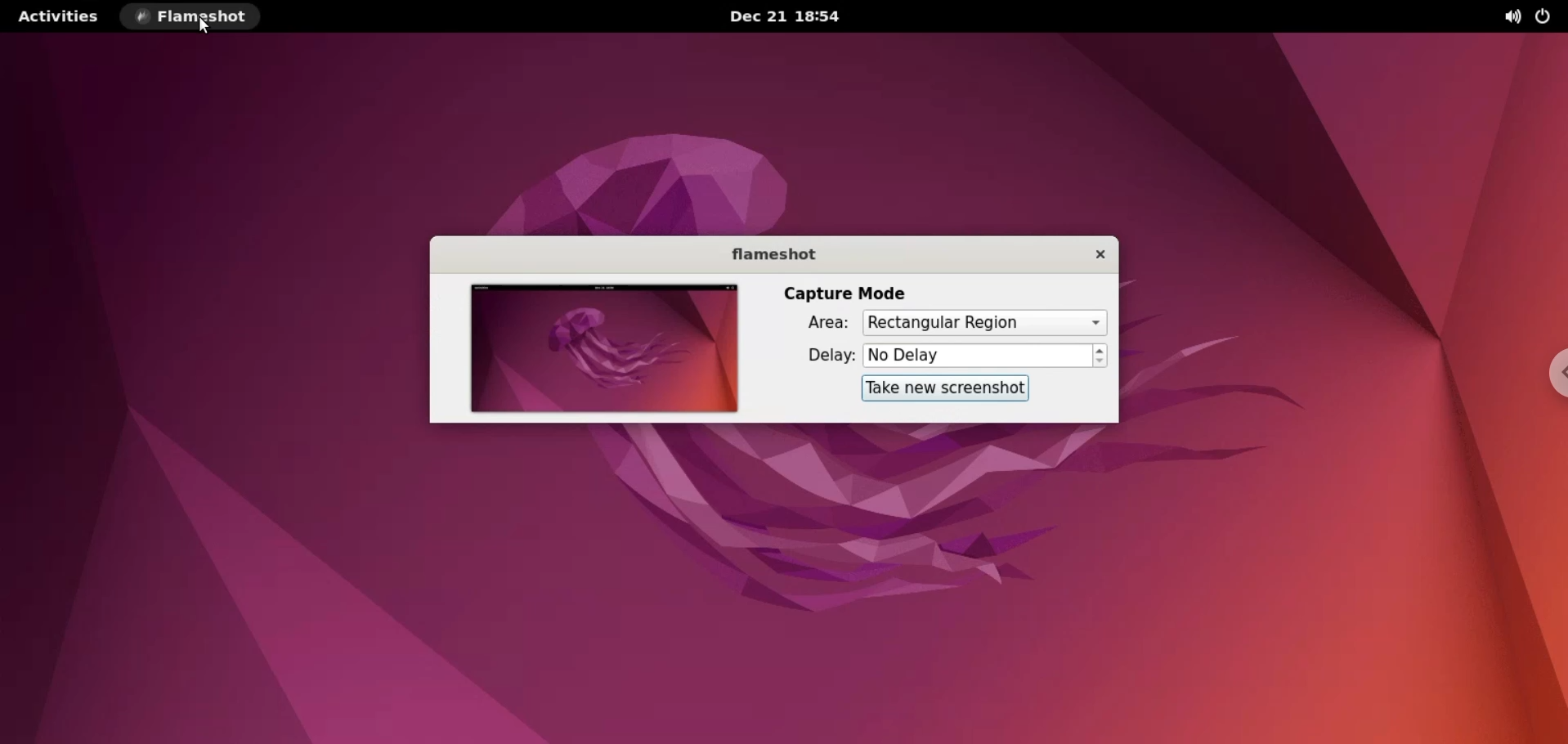 Image resolution: width=1568 pixels, height=744 pixels. Describe the element at coordinates (204, 26) in the screenshot. I see `cursor` at that location.